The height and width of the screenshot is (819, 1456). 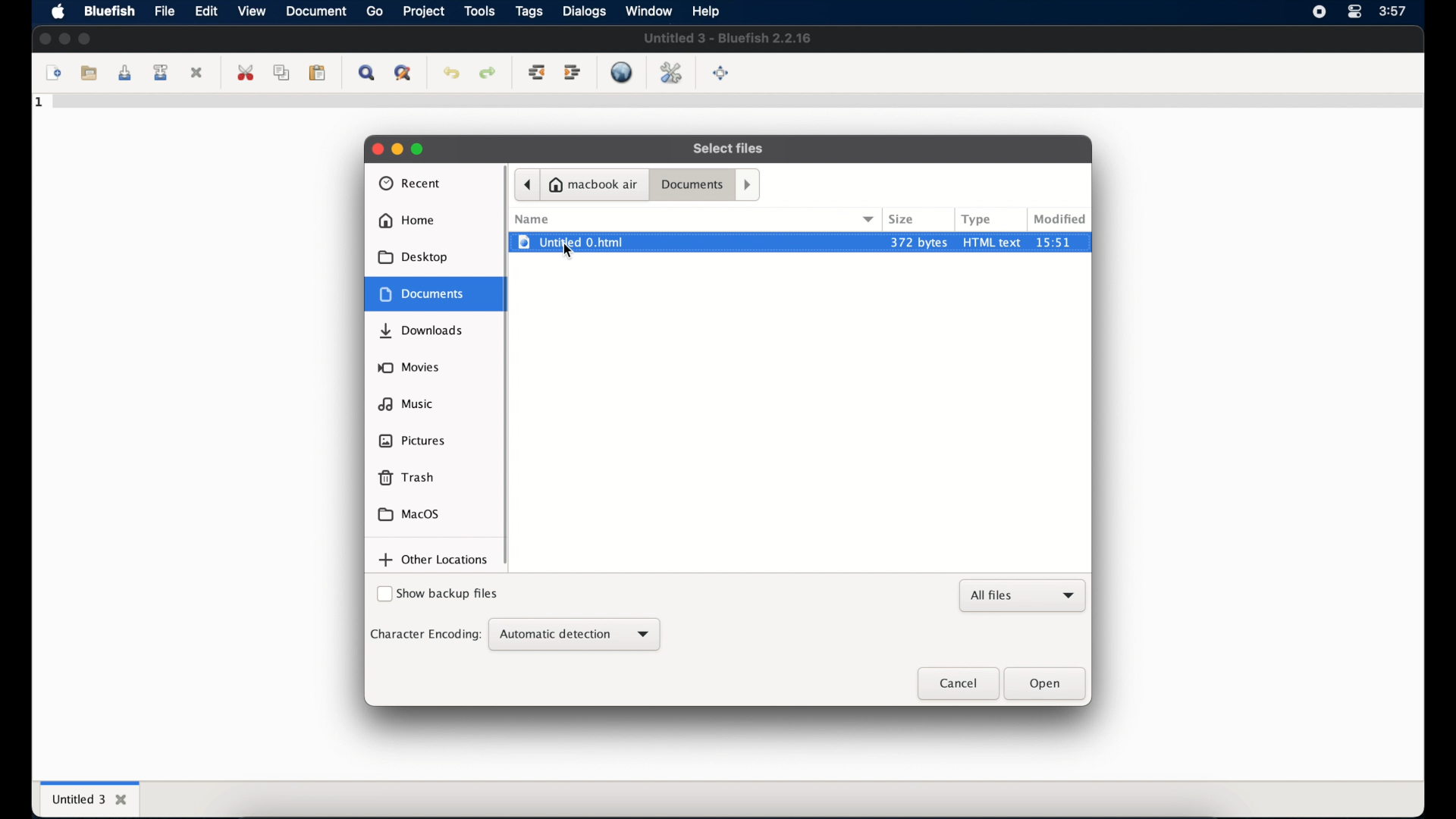 What do you see at coordinates (397, 149) in the screenshot?
I see `minimize` at bounding box center [397, 149].